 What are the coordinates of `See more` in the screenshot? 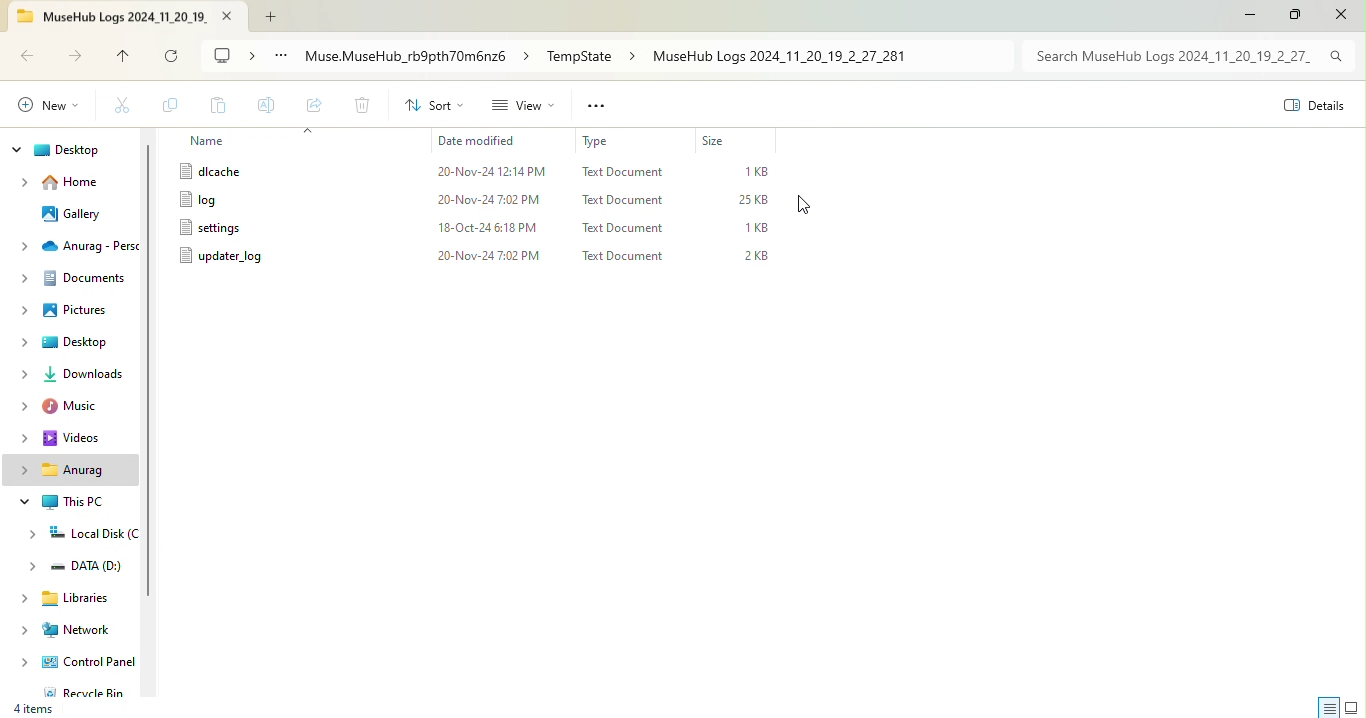 It's located at (597, 108).